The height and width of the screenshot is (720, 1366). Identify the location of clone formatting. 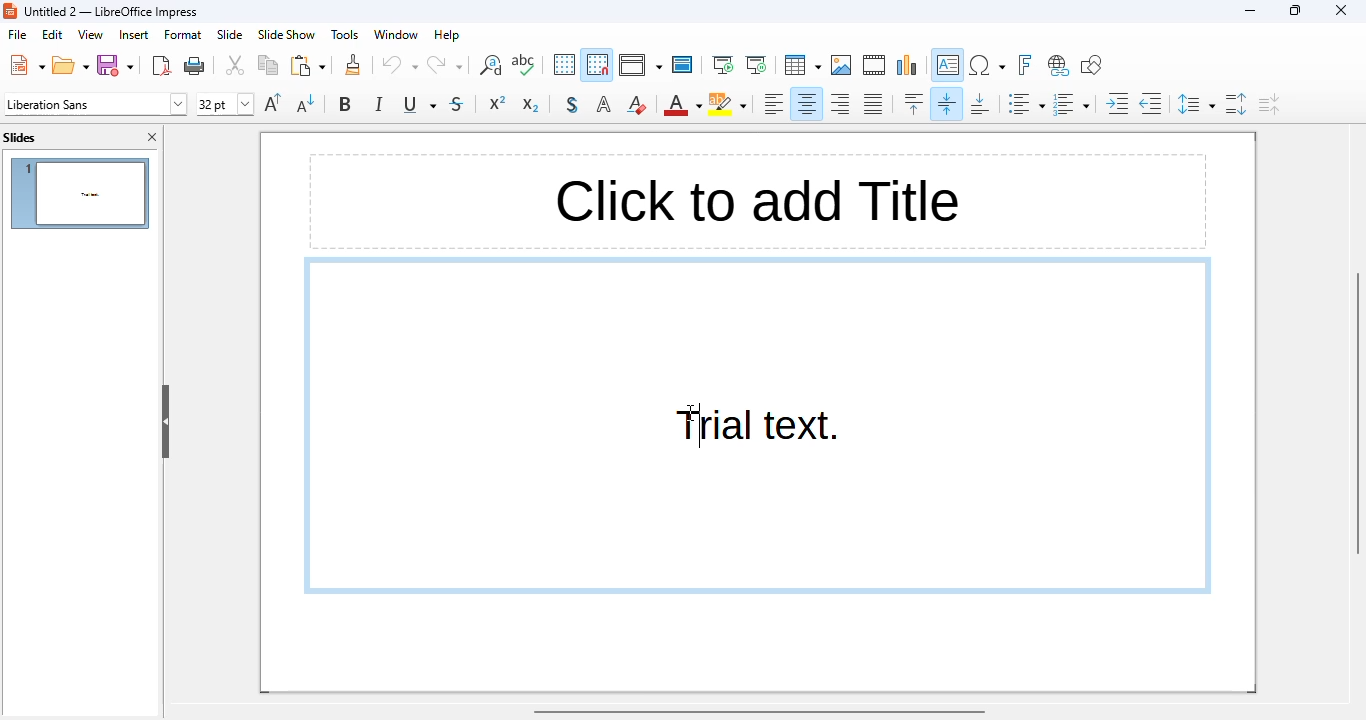
(353, 64).